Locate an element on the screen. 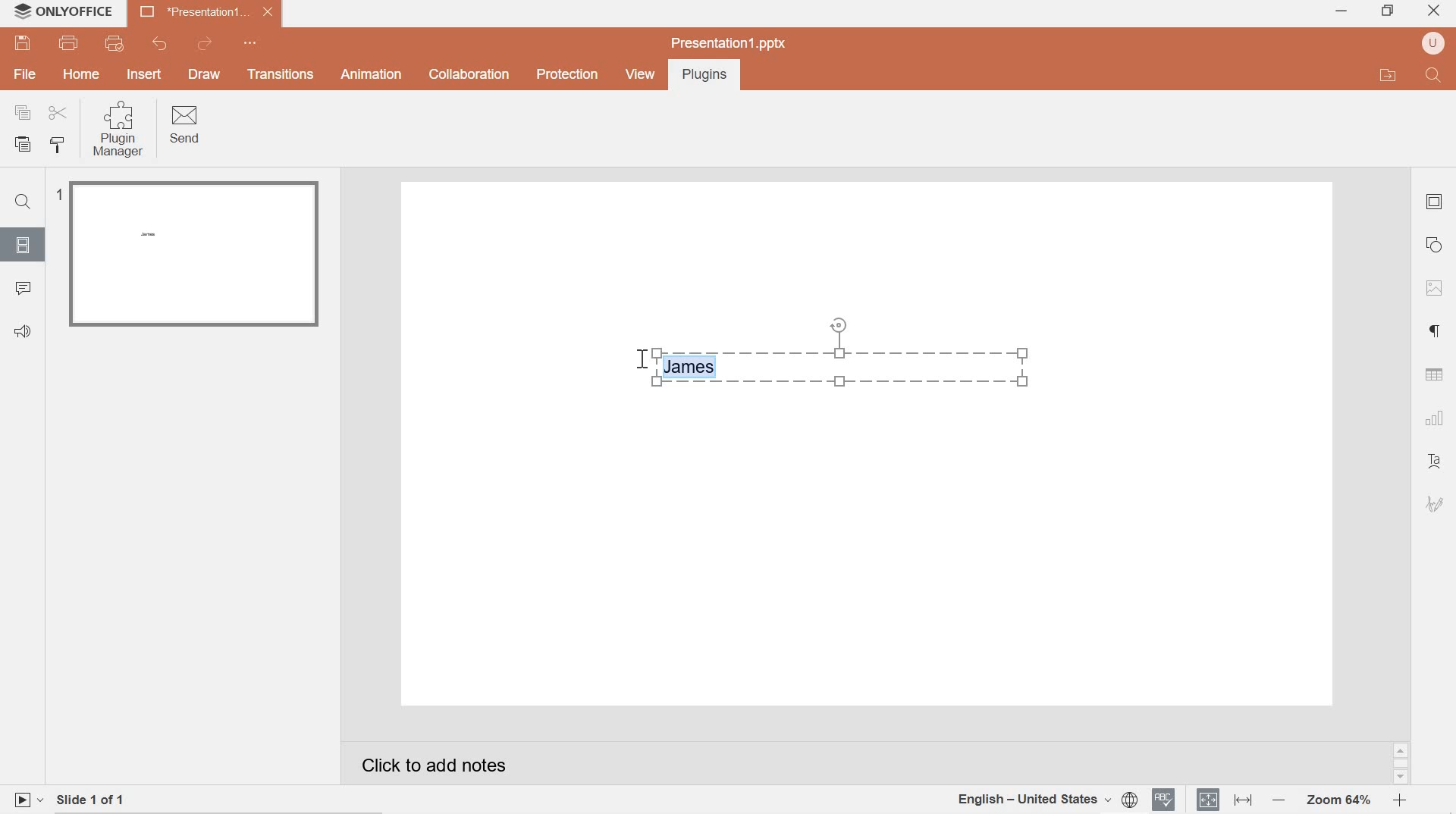 This screenshot has height=814, width=1456. fit to slide is located at coordinates (1208, 800).